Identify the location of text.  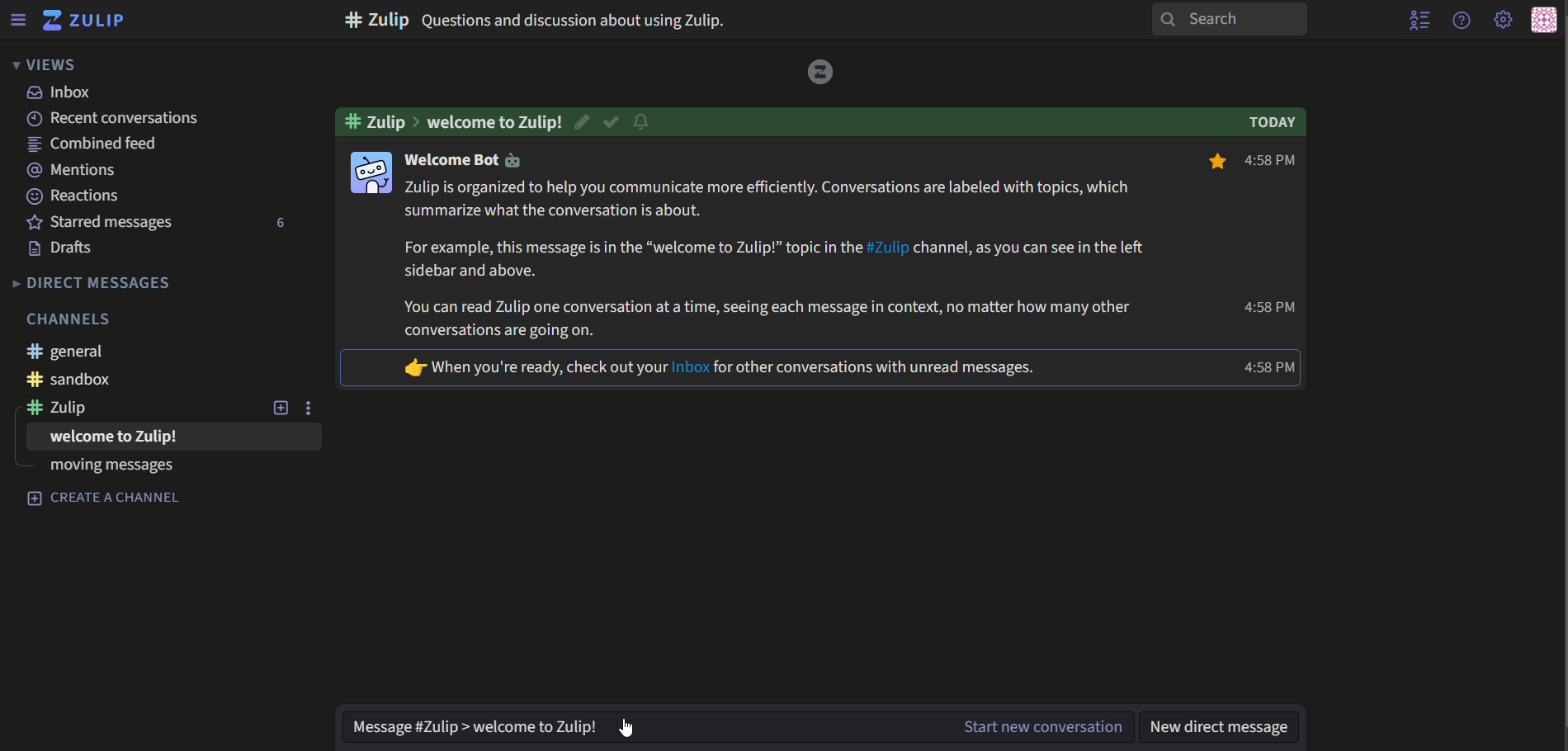
(470, 162).